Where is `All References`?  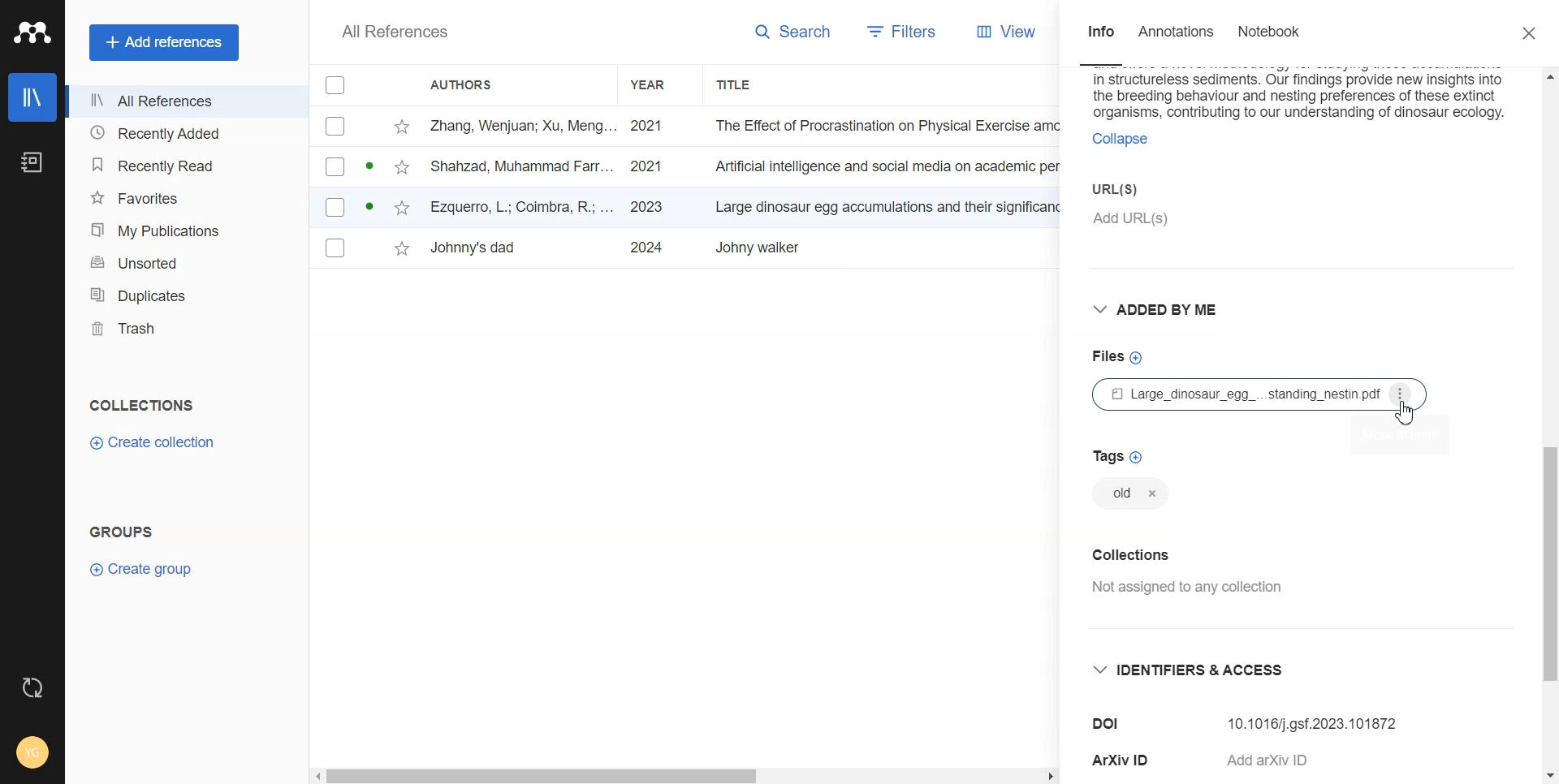
All References is located at coordinates (179, 101).